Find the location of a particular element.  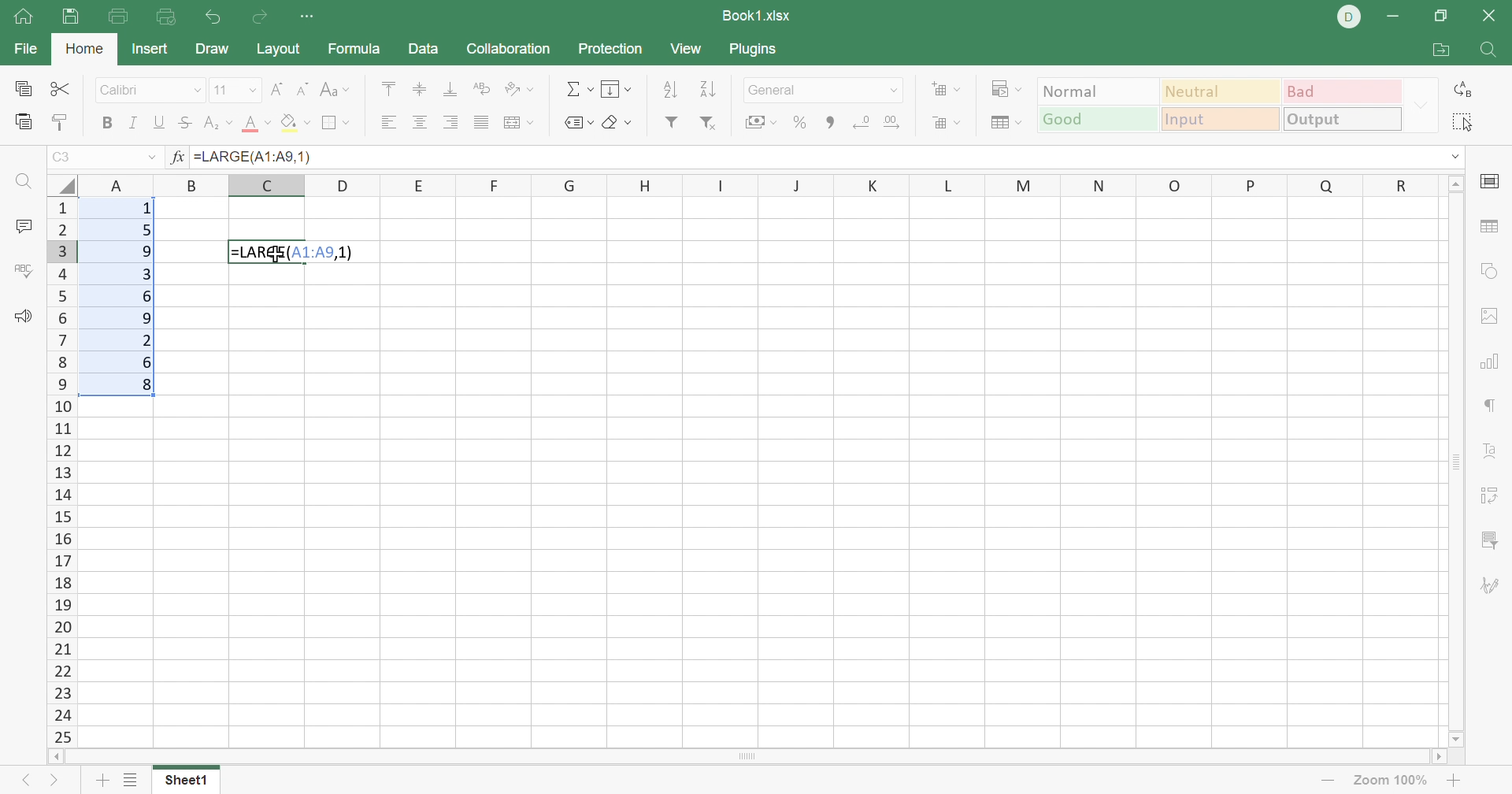

Cursor is located at coordinates (276, 256).